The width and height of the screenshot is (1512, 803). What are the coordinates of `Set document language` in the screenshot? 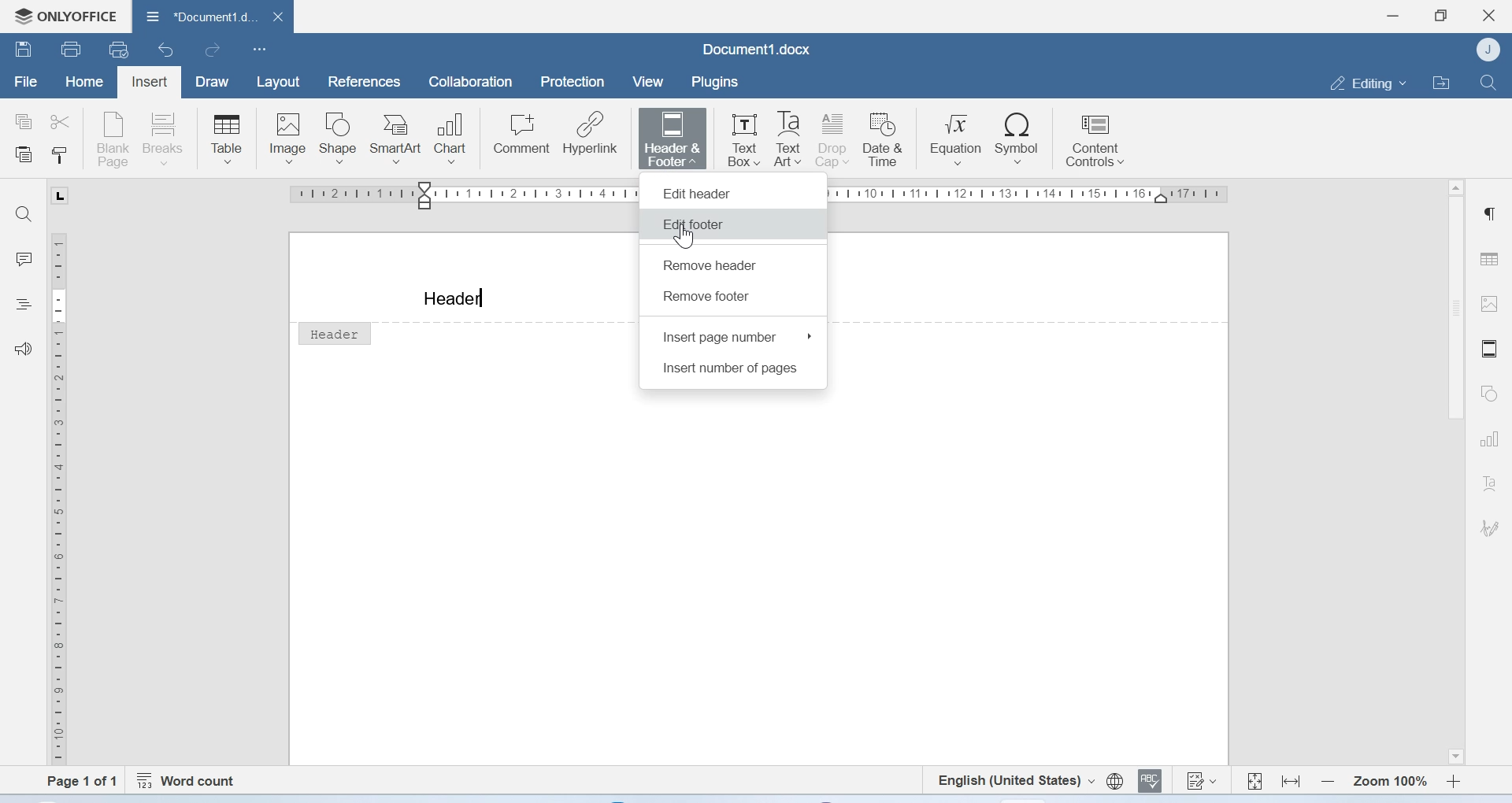 It's located at (1114, 782).